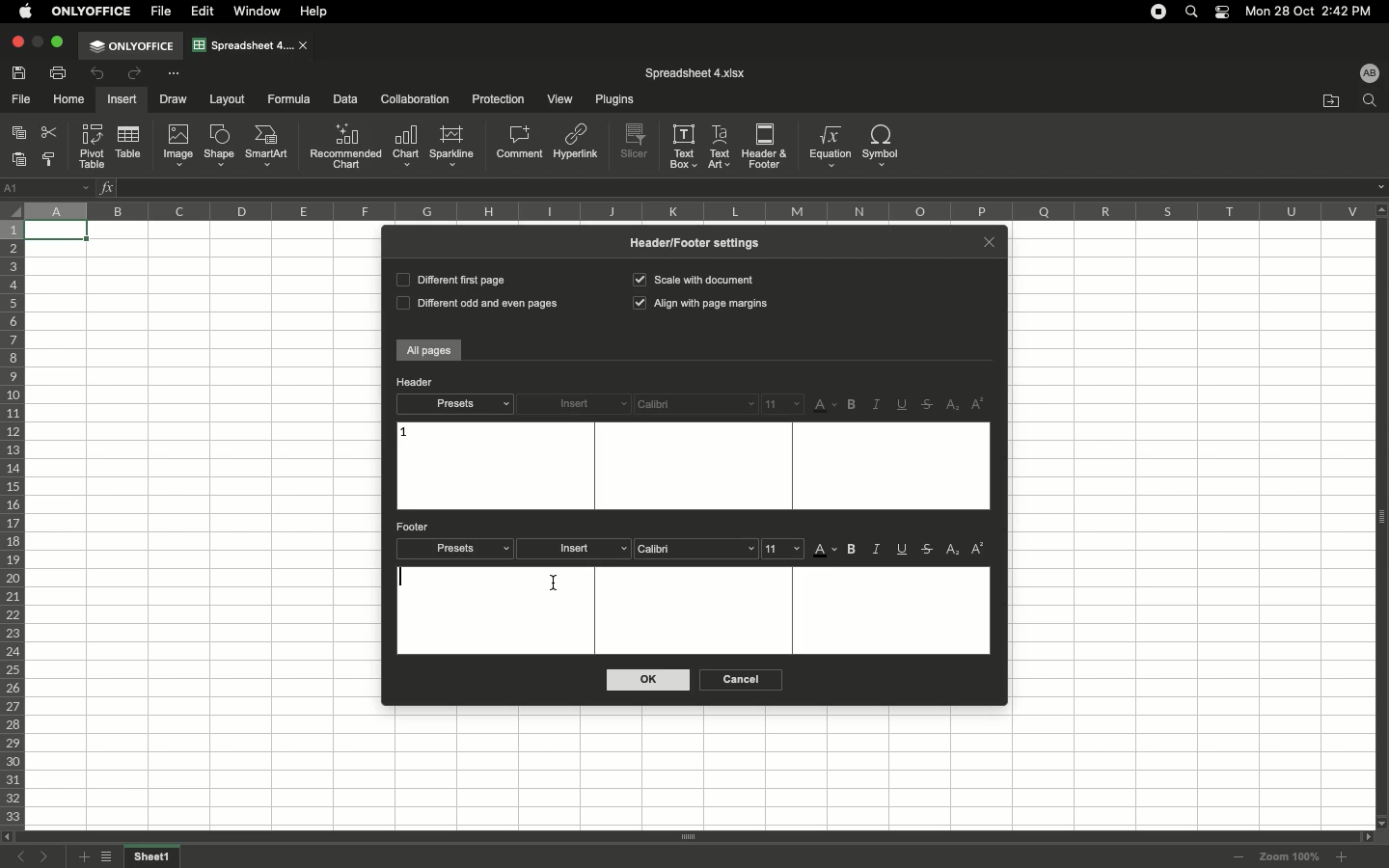 This screenshot has height=868, width=1389. I want to click on Protection, so click(494, 98).